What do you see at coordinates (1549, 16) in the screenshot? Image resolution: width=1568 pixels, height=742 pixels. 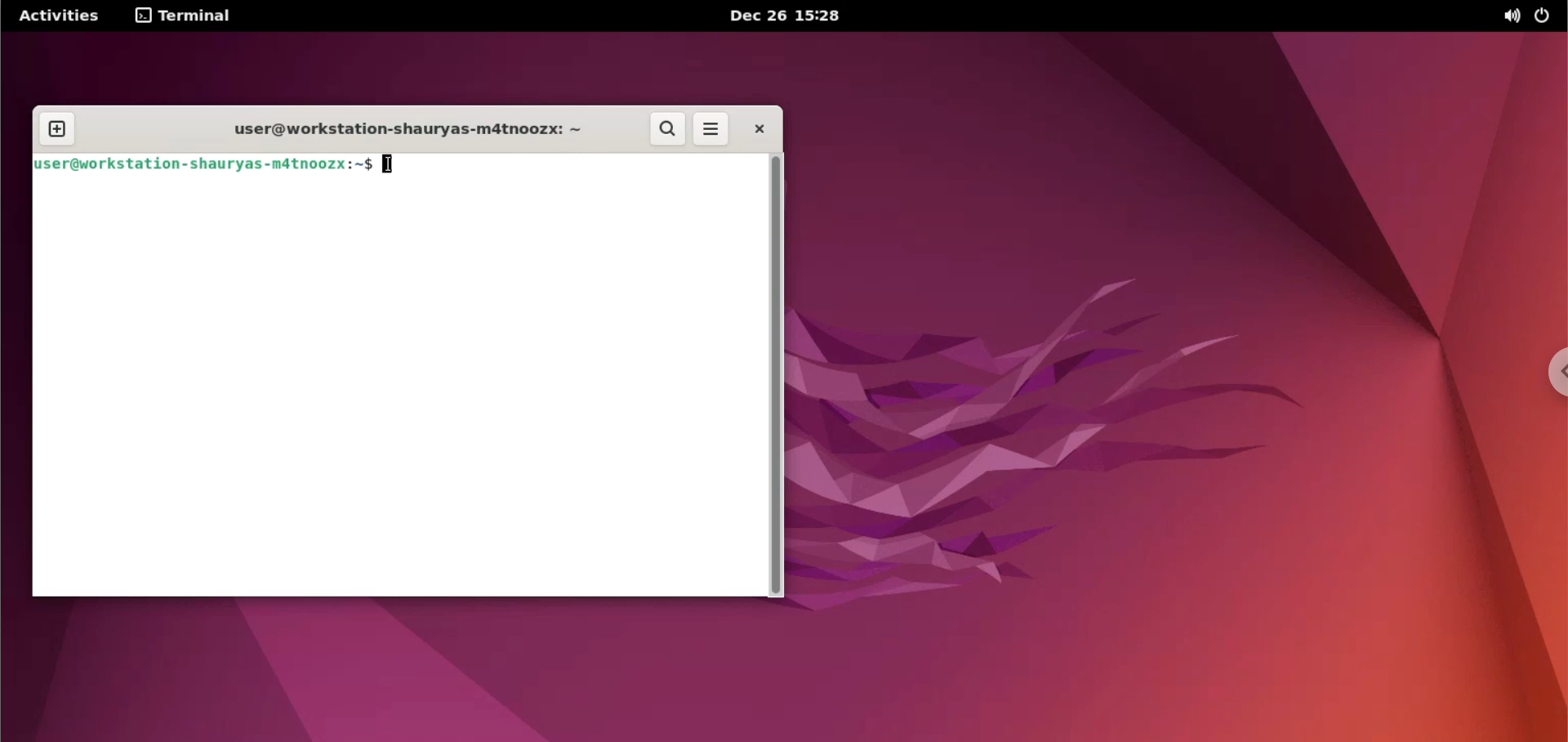 I see `power options` at bounding box center [1549, 16].